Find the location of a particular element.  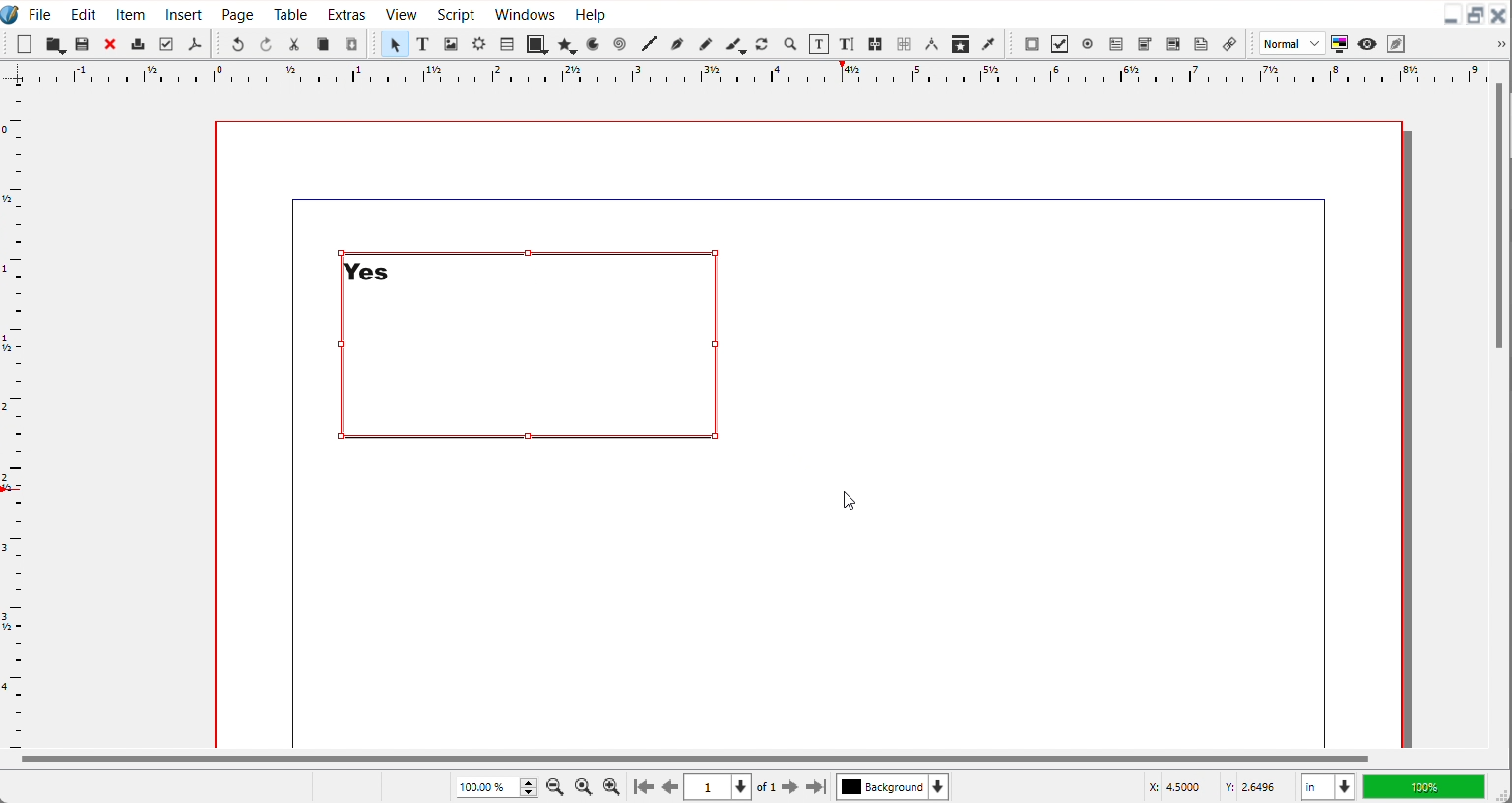

Copy item Properties is located at coordinates (961, 43).